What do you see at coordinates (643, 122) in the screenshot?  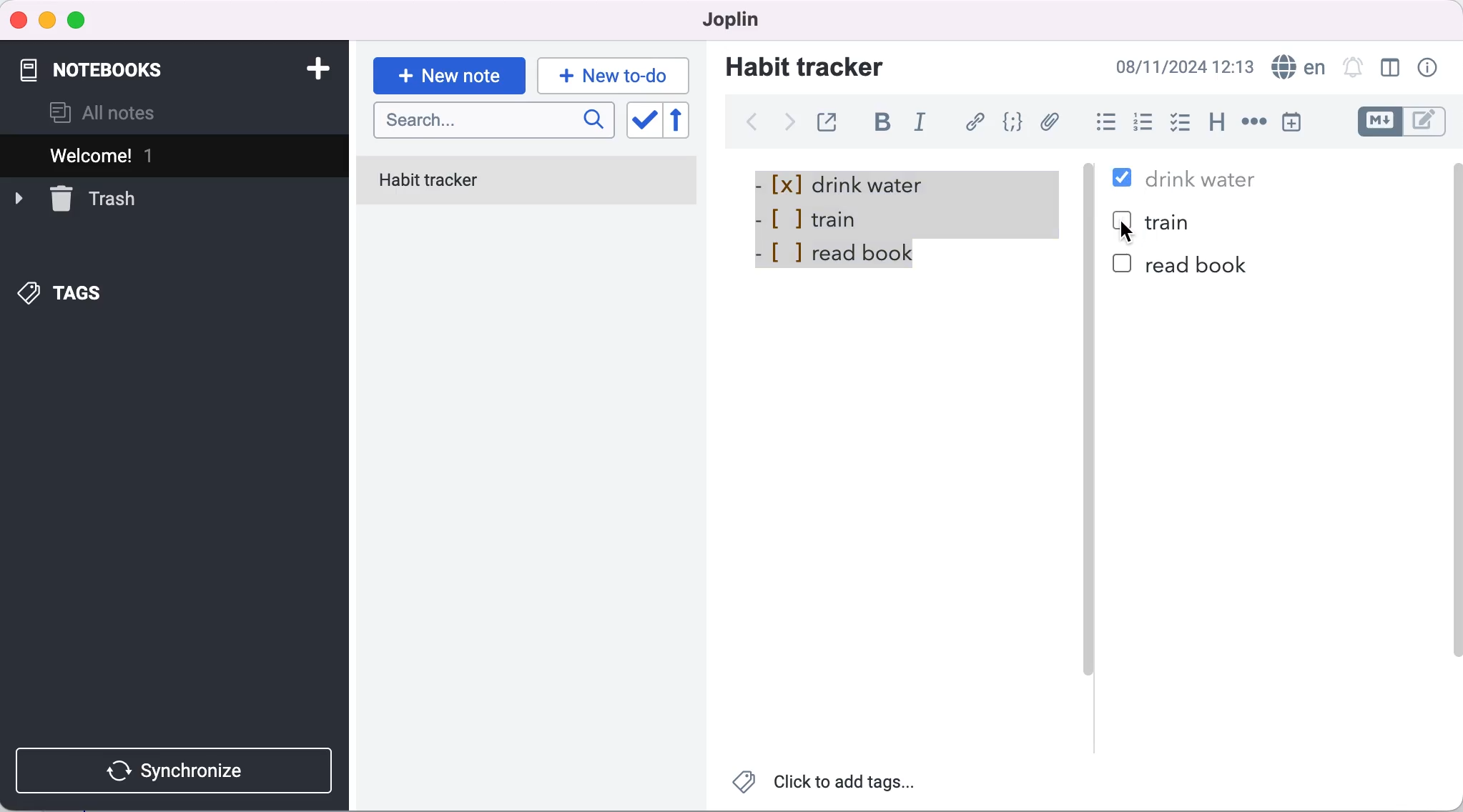 I see `toggle sort order field` at bounding box center [643, 122].